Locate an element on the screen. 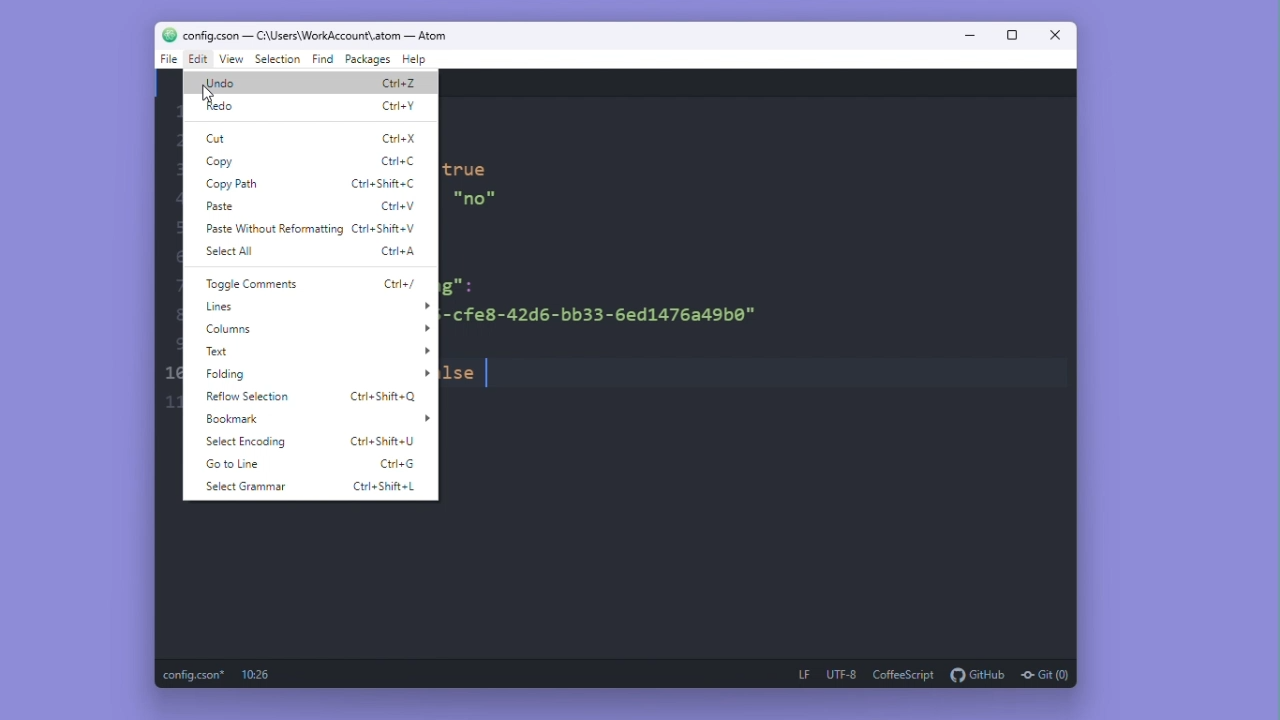  ctrl+/ is located at coordinates (405, 284).